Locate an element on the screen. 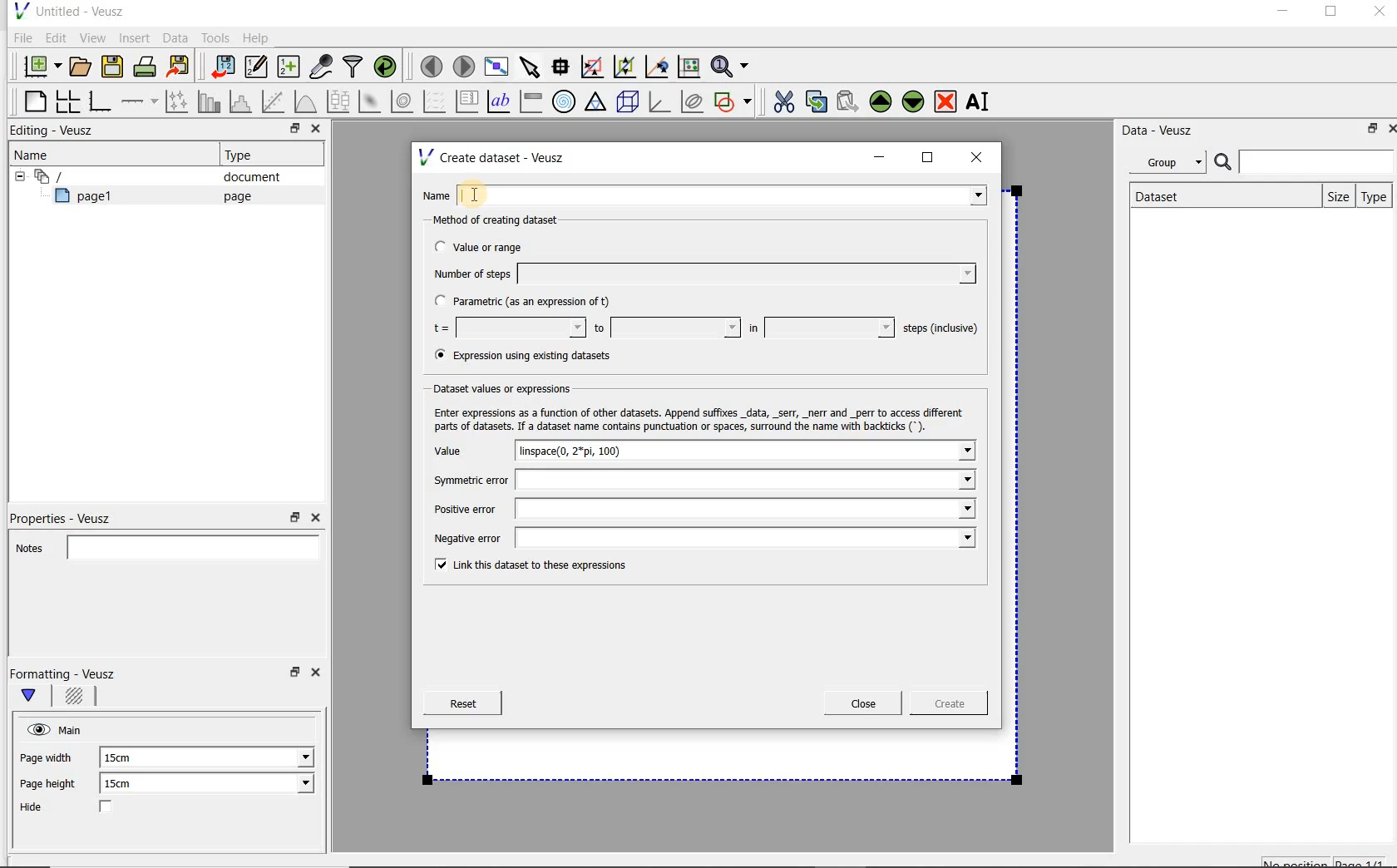 Image resolution: width=1397 pixels, height=868 pixels. plot a 2d dataset as contours is located at coordinates (403, 101).